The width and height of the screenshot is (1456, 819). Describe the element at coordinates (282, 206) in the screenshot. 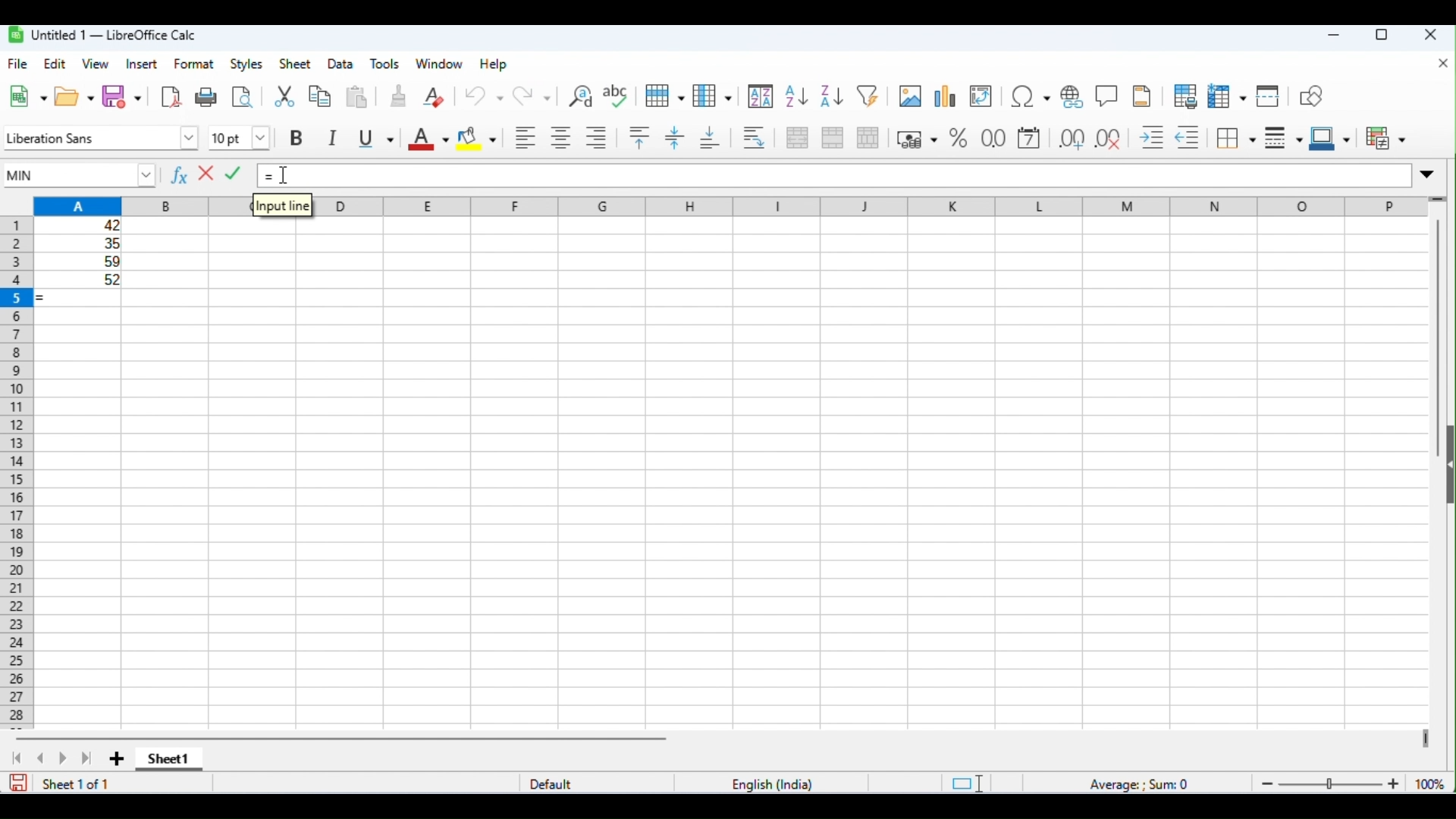

I see `input line` at that location.